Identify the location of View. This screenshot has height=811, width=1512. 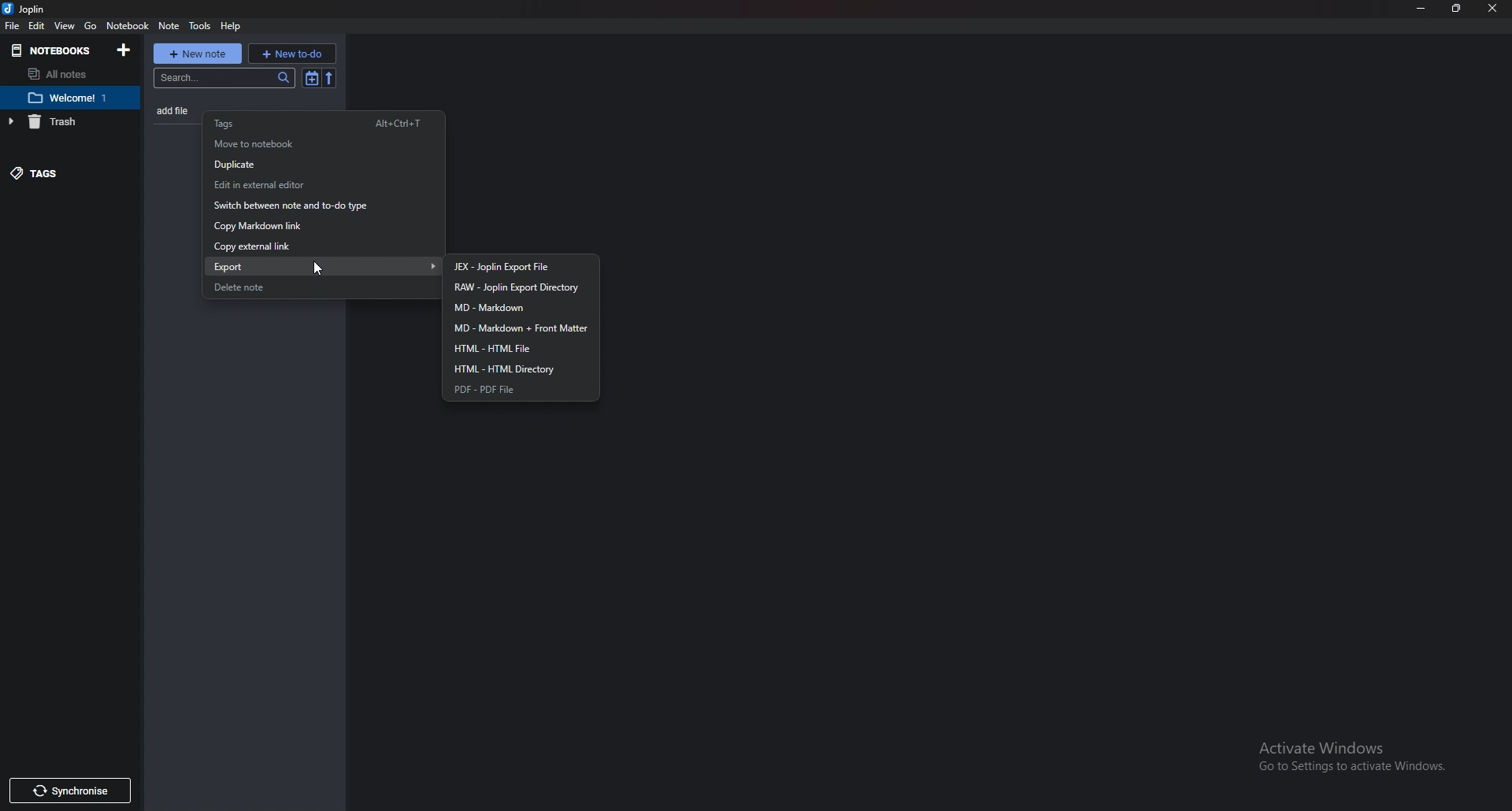
(66, 25).